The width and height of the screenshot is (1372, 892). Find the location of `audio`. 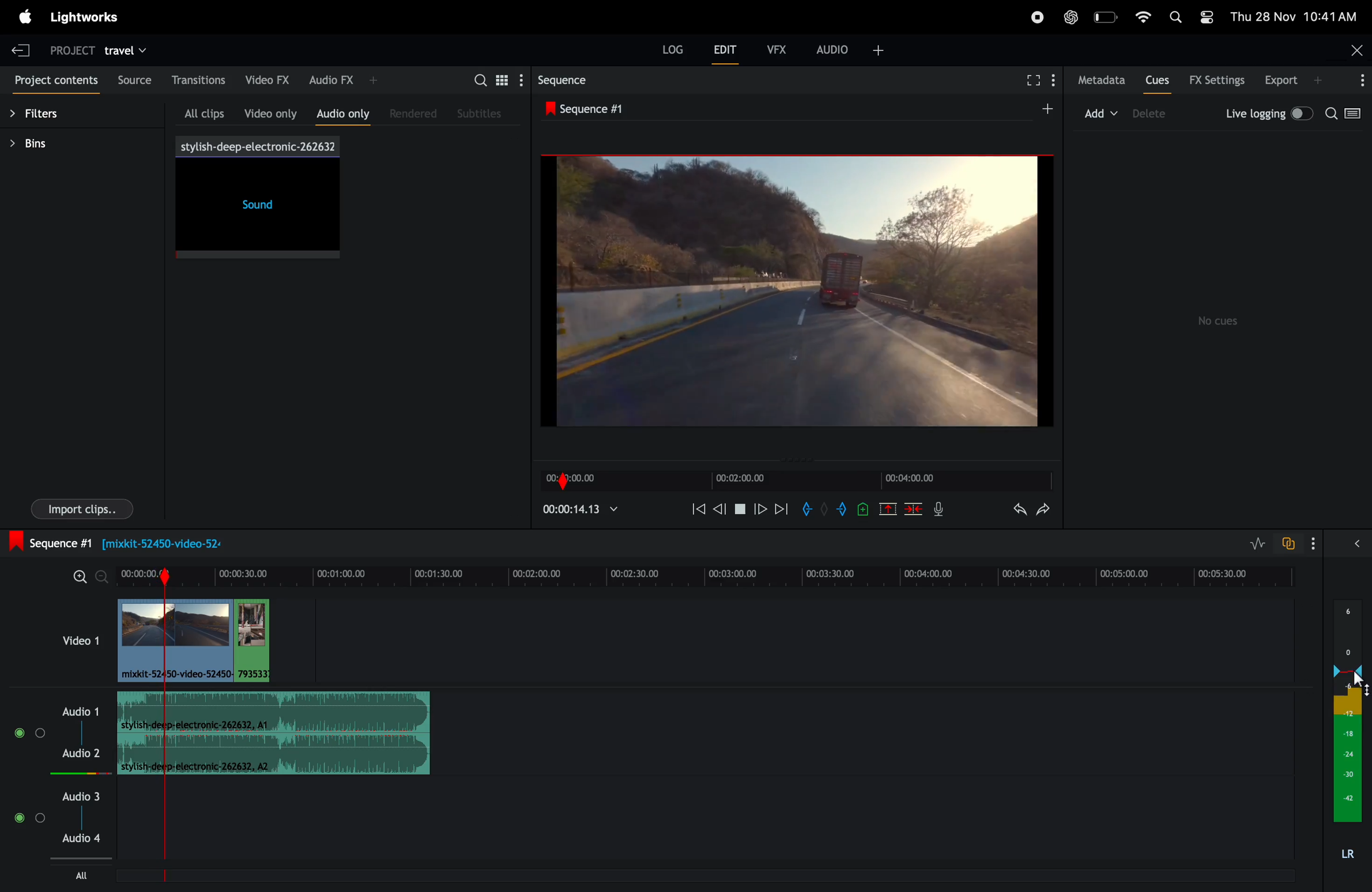

audio is located at coordinates (850, 49).